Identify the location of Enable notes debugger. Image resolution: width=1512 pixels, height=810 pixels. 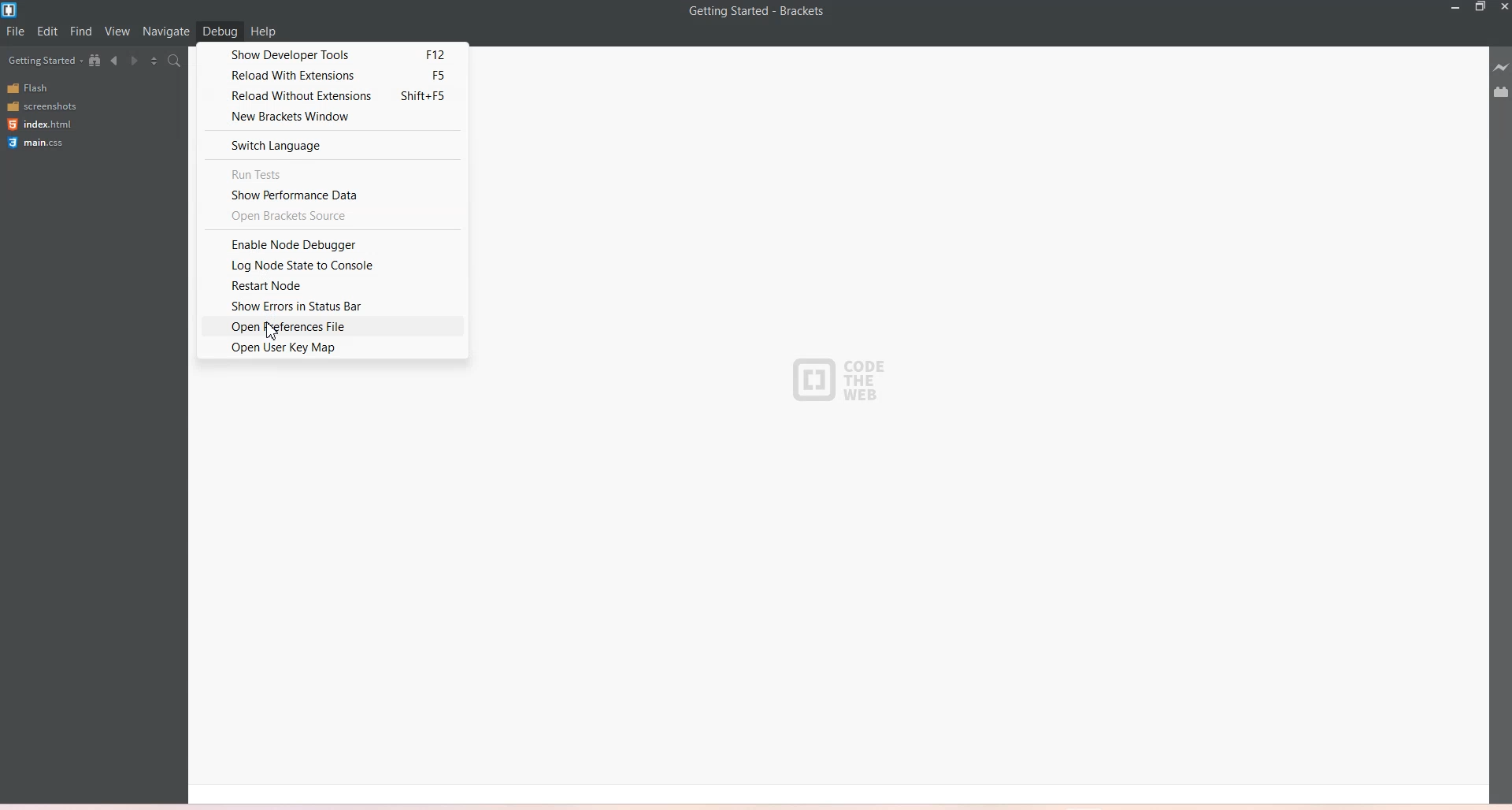
(329, 243).